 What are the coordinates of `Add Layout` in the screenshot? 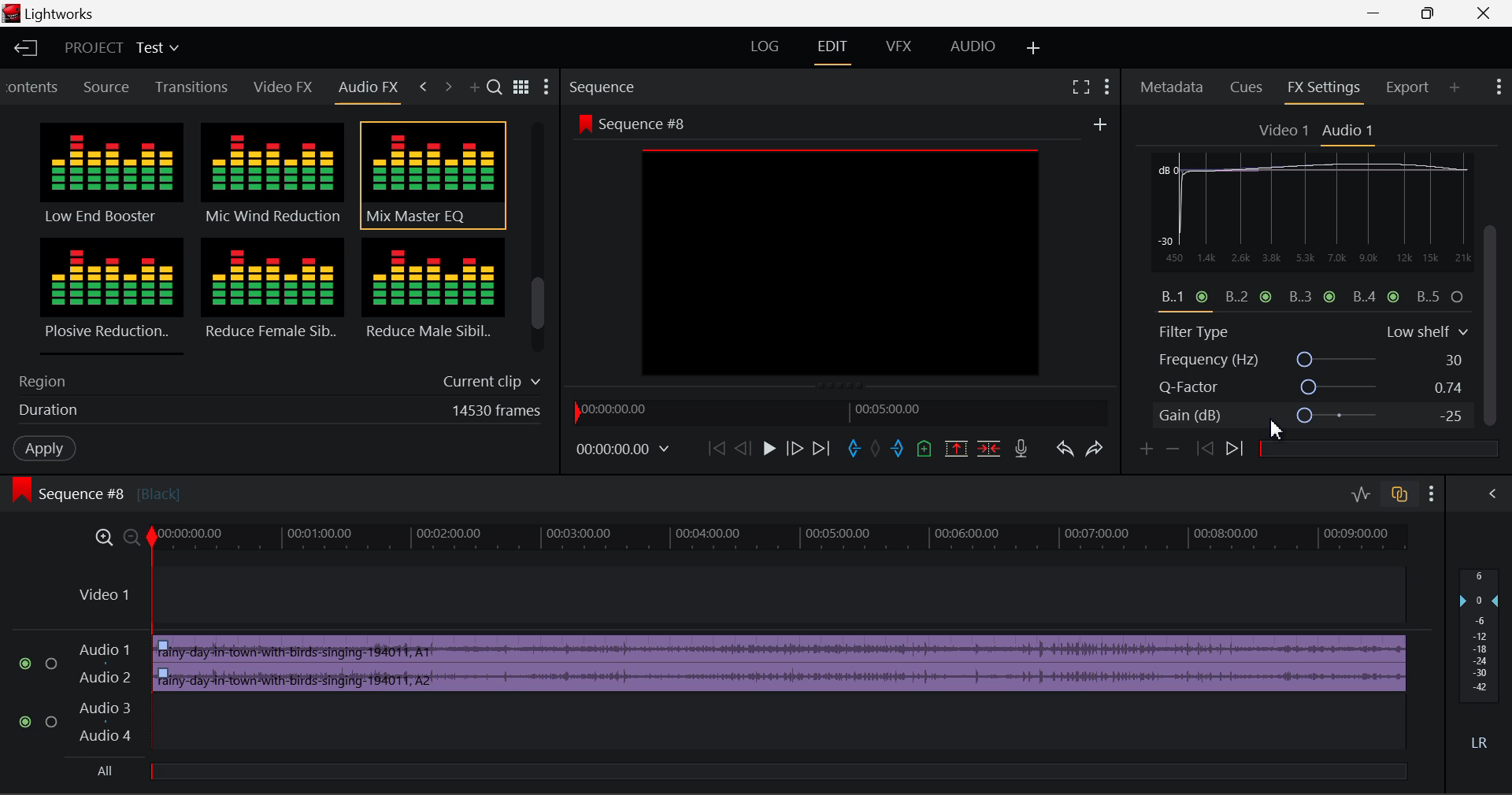 It's located at (1031, 47).